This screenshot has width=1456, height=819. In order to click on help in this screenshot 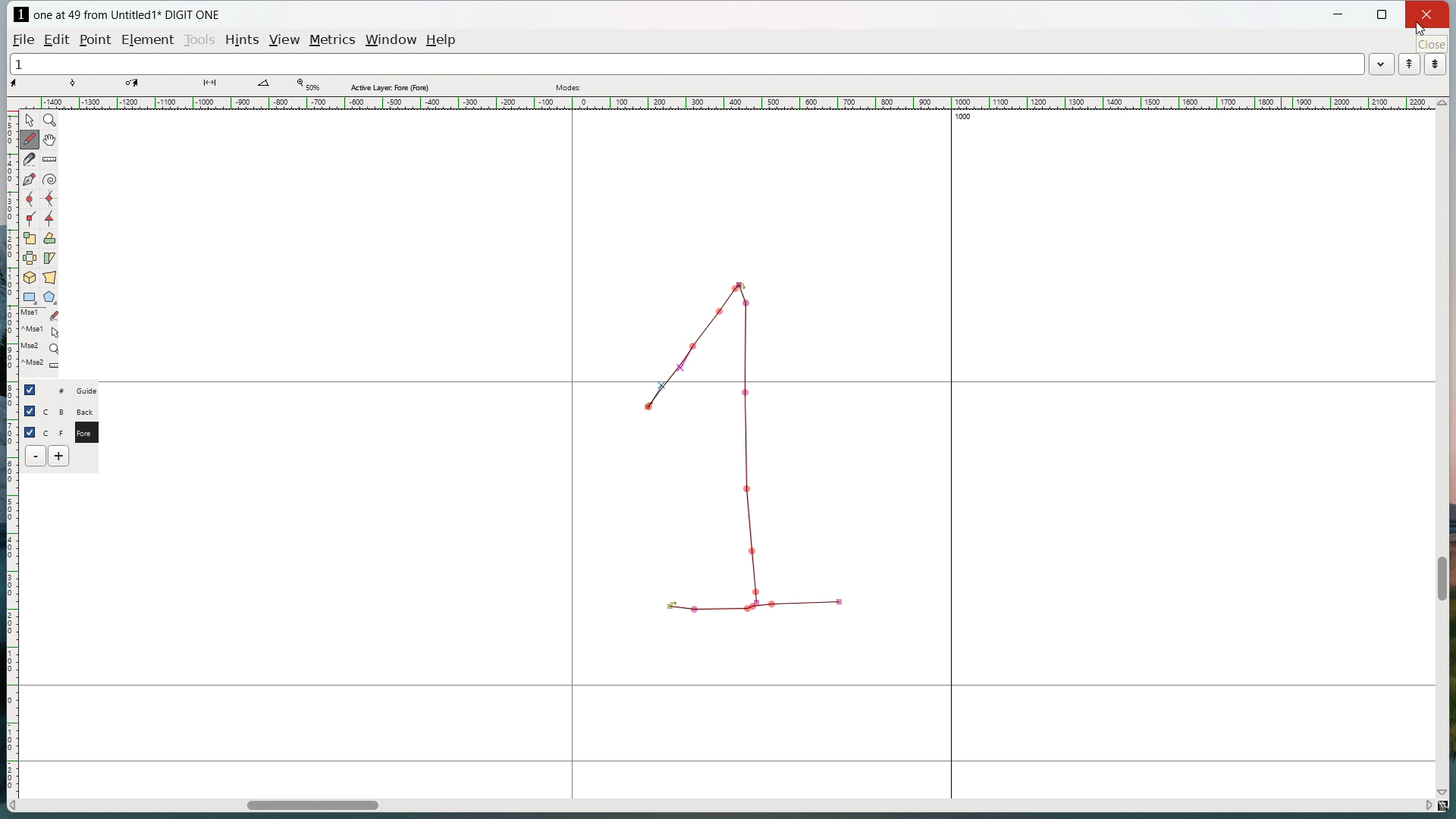, I will do `click(442, 40)`.